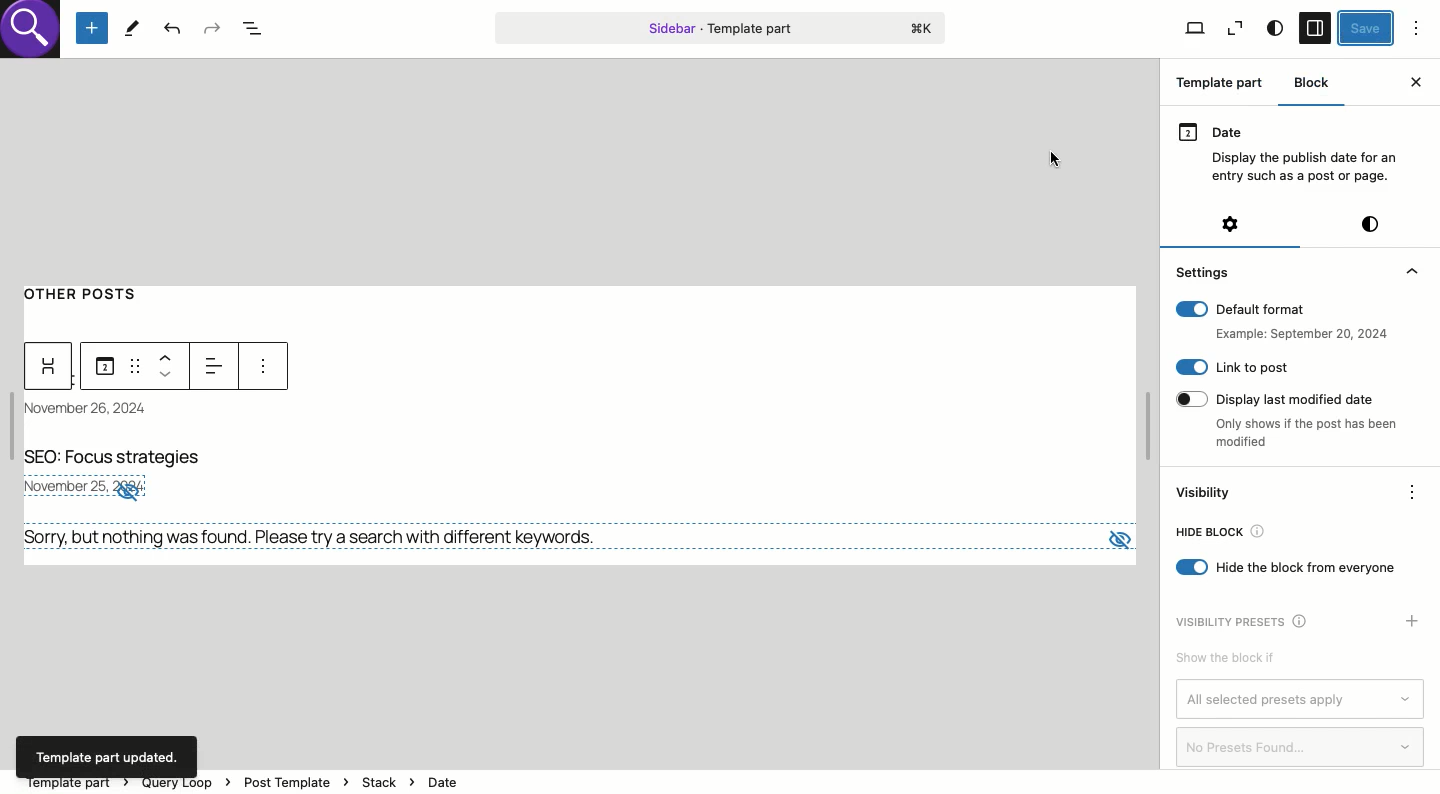  Describe the element at coordinates (133, 364) in the screenshot. I see `Draf` at that location.